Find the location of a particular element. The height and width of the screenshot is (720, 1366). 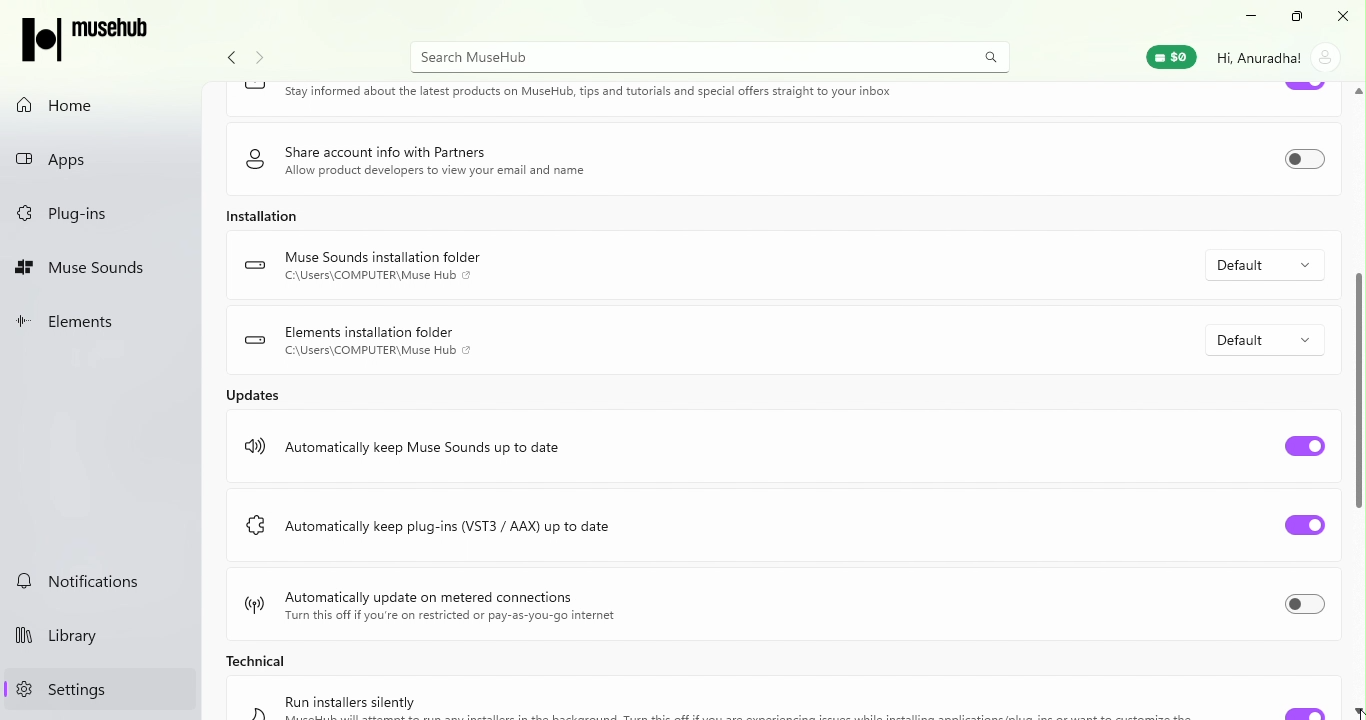

Share account info with Partners Allow product developers to view your email and name is located at coordinates (441, 163).